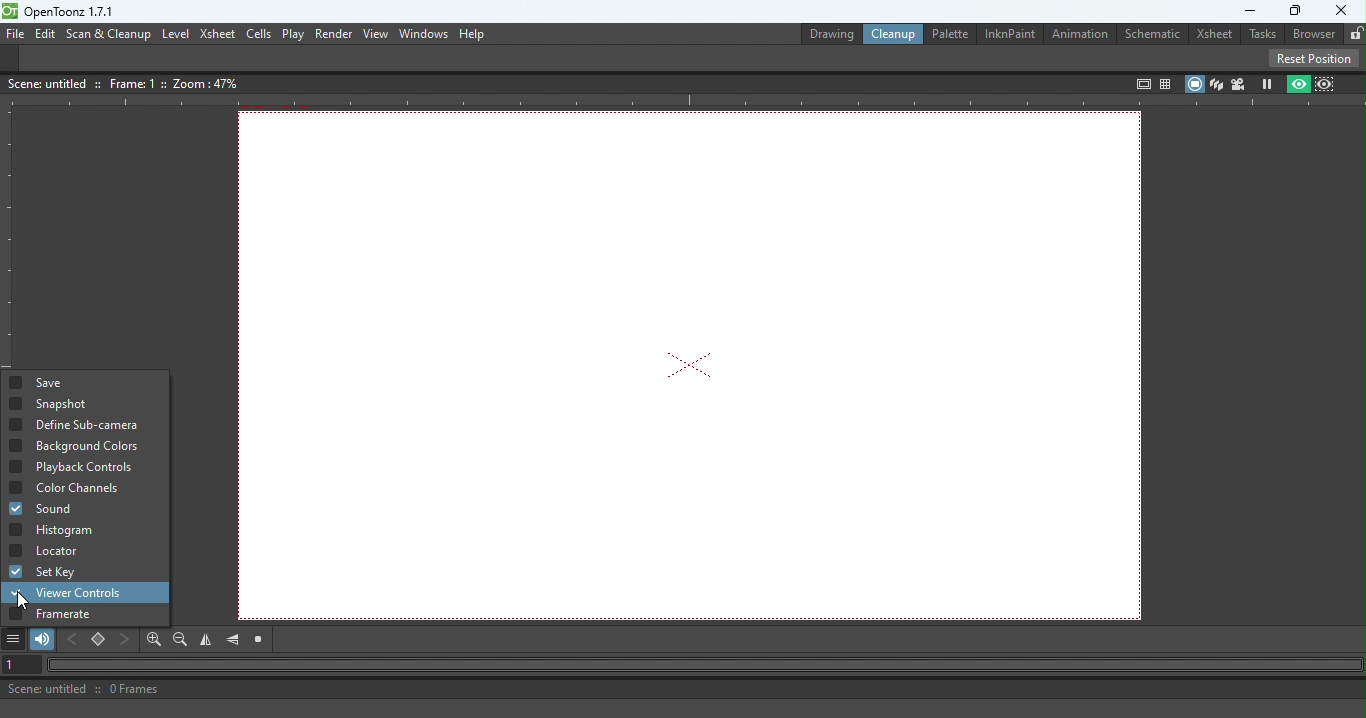 This screenshot has height=718, width=1366. What do you see at coordinates (78, 424) in the screenshot?
I see `Define Sub-camera` at bounding box center [78, 424].